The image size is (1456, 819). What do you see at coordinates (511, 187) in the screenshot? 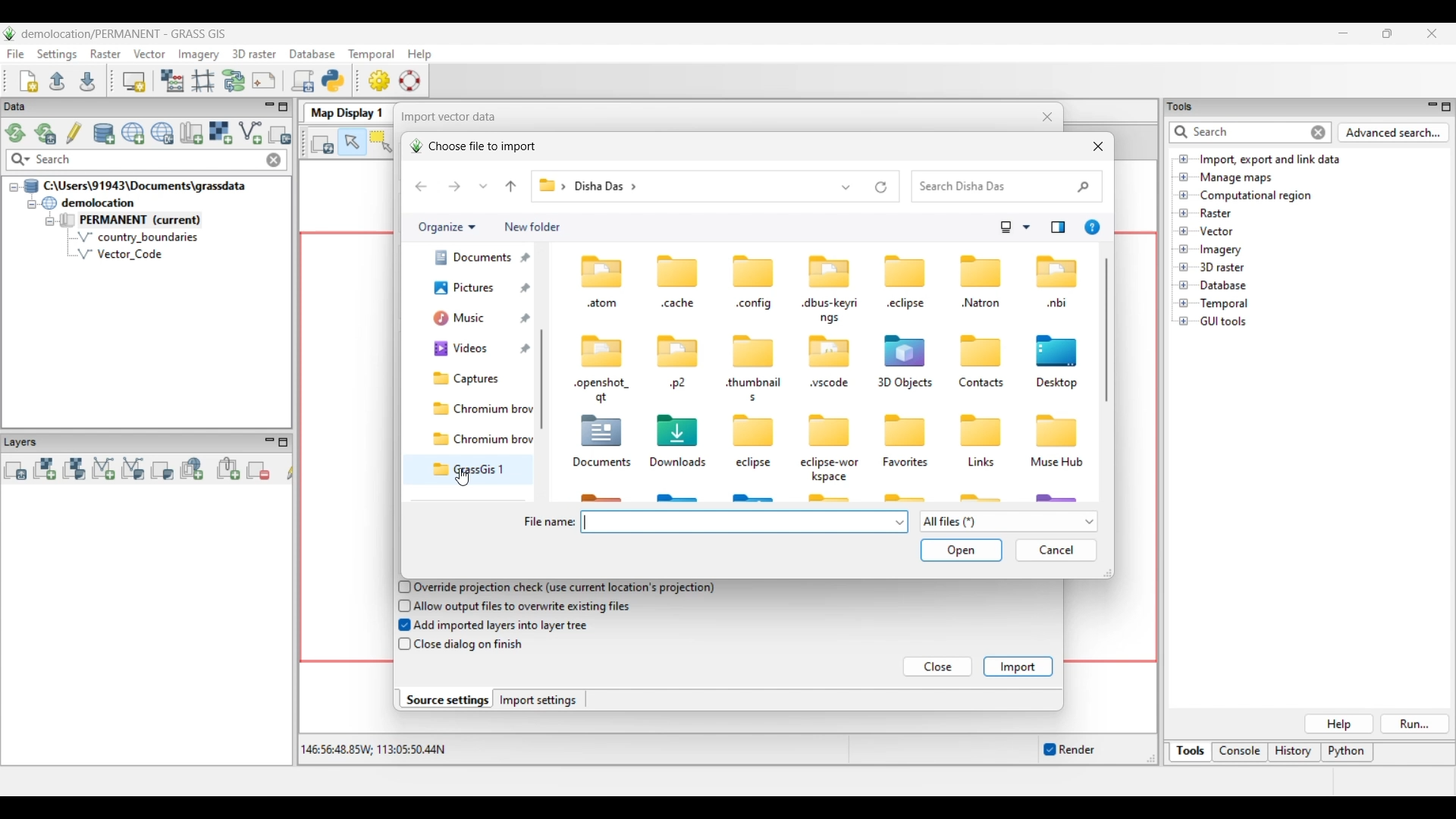
I see `Go to the file before current file in file pathway` at bounding box center [511, 187].